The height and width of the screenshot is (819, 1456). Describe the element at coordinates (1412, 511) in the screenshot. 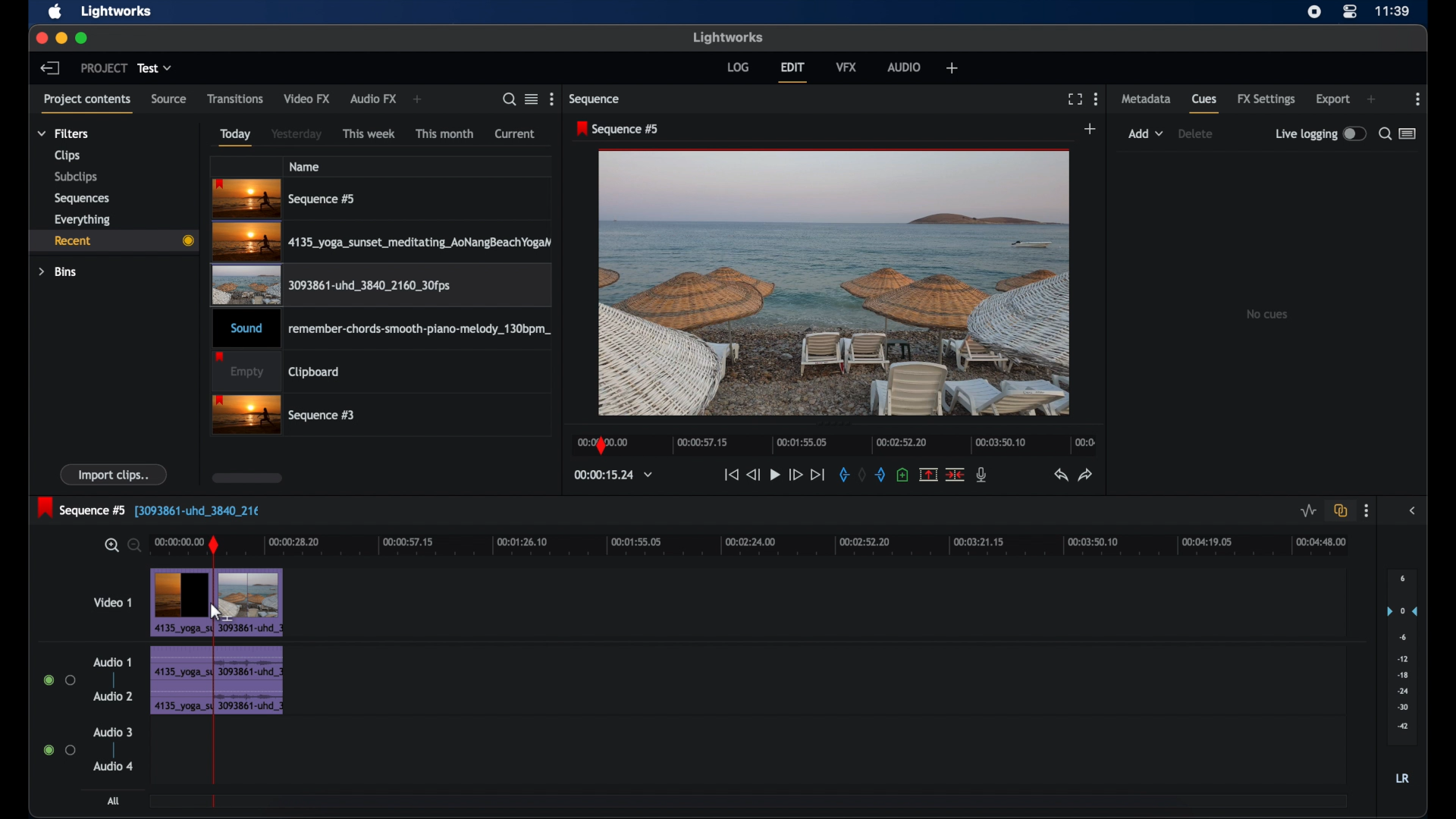

I see `sidebar` at that location.